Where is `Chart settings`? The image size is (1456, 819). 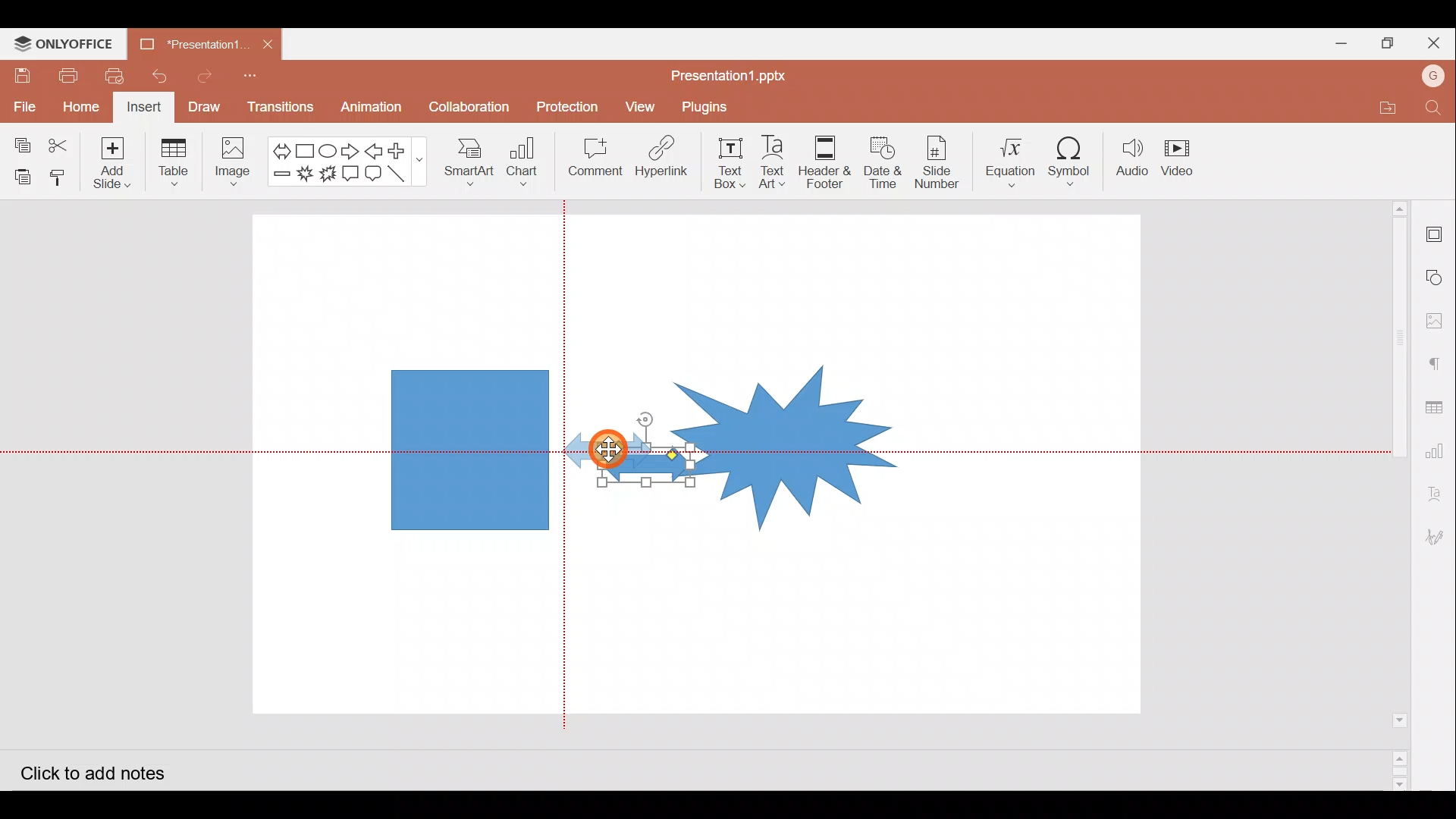
Chart settings is located at coordinates (1439, 449).